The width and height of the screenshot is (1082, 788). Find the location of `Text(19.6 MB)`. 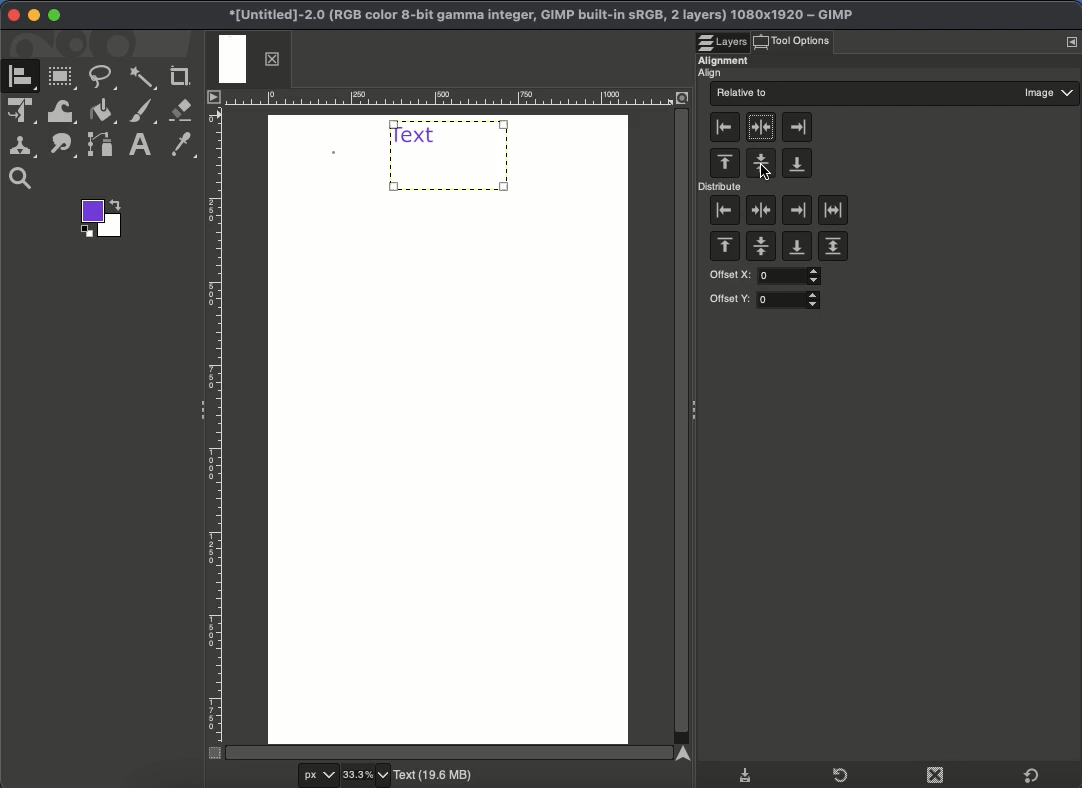

Text(19.6 MB) is located at coordinates (436, 777).